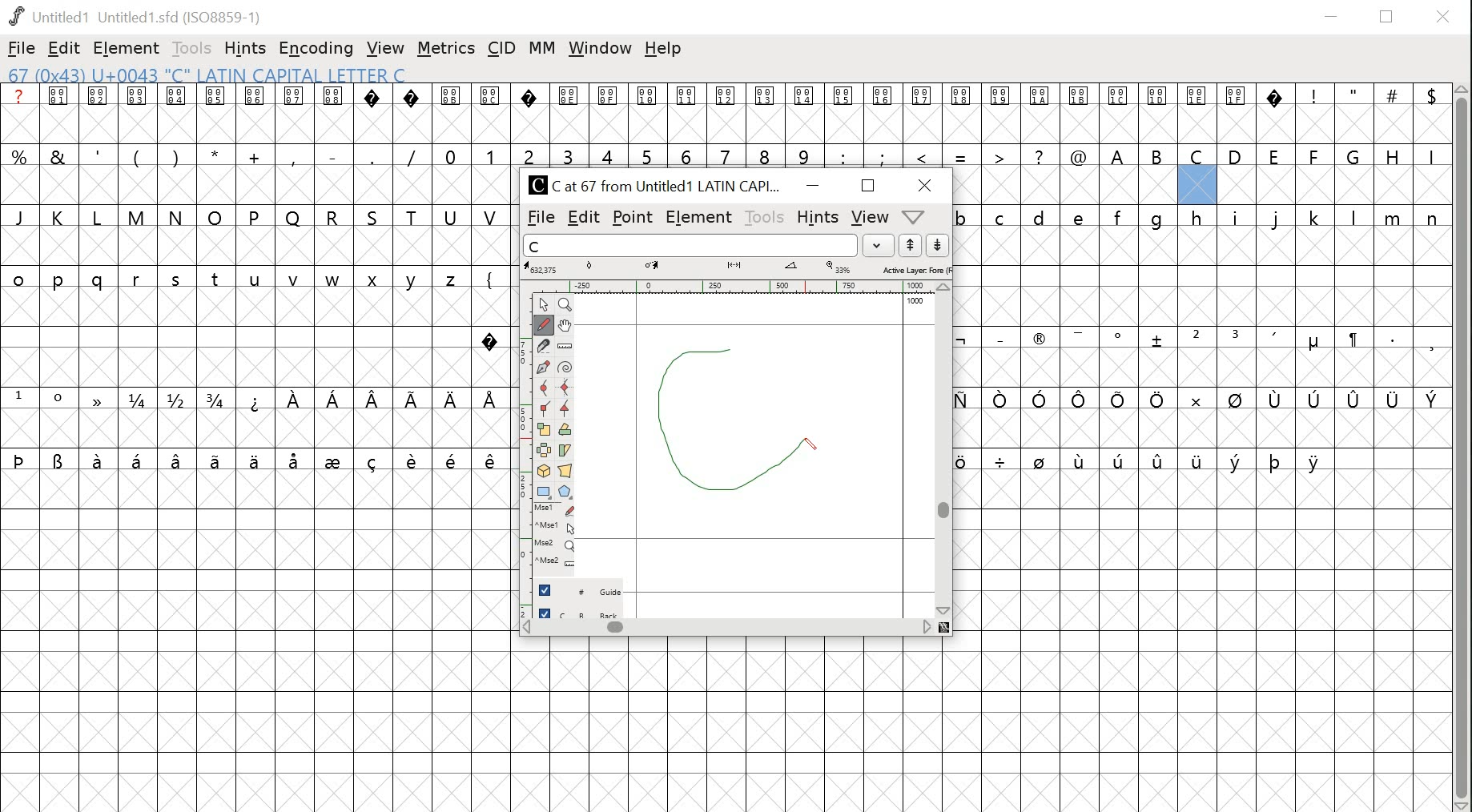 This screenshot has height=812, width=1472. I want to click on scrollbar, so click(727, 629).